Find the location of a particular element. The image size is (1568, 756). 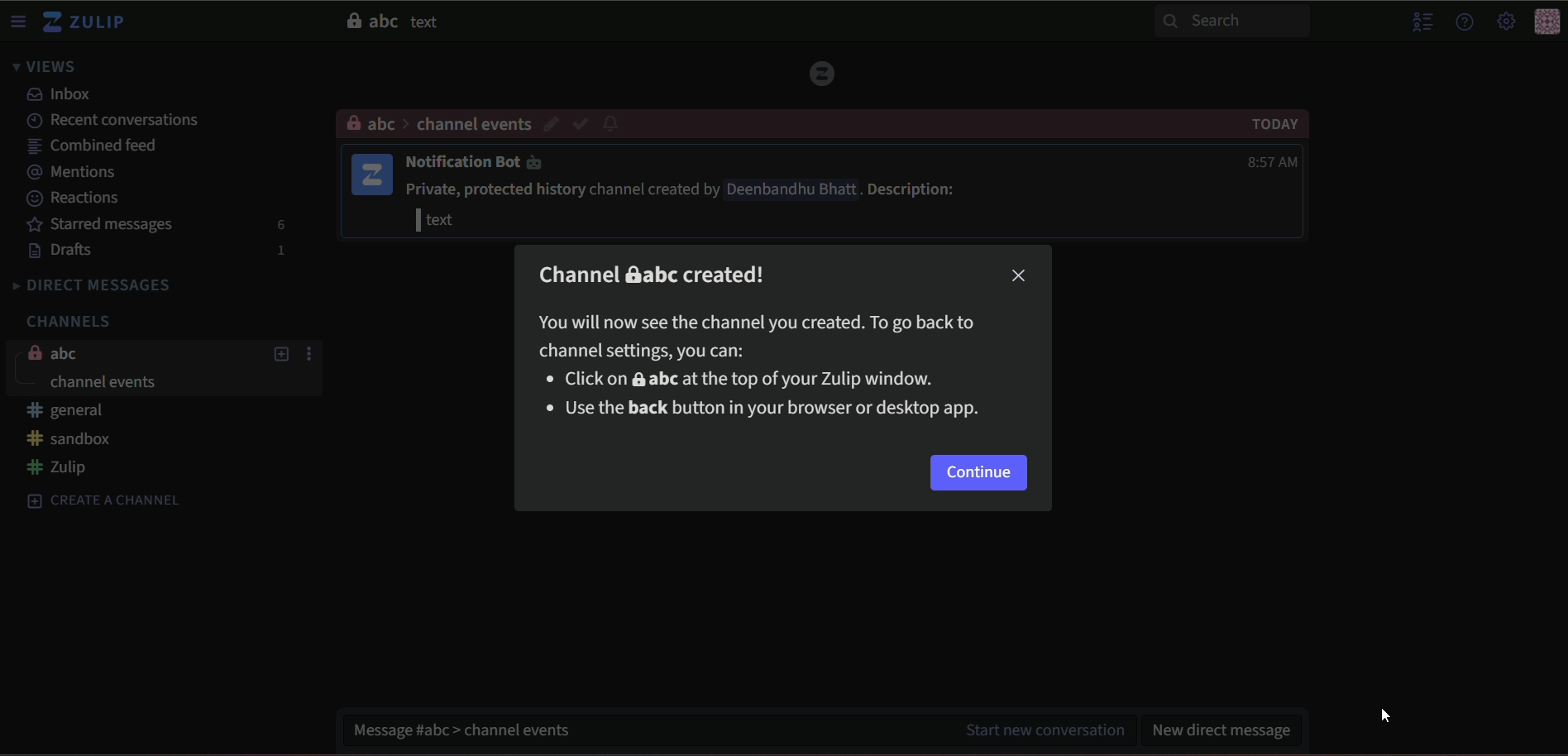

close is located at coordinates (1019, 275).